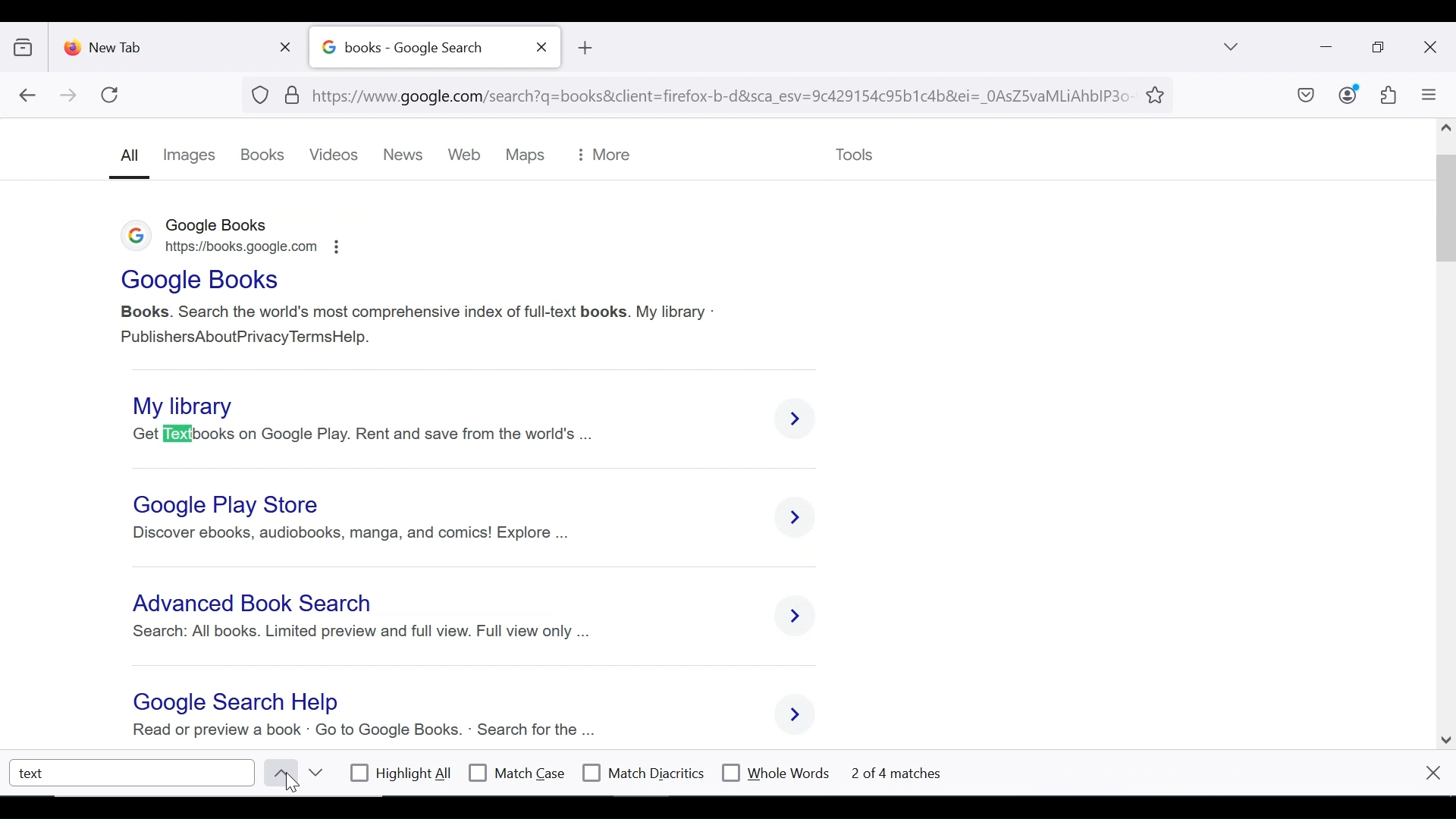 This screenshot has width=1456, height=819. I want to click on new tab, so click(163, 44).